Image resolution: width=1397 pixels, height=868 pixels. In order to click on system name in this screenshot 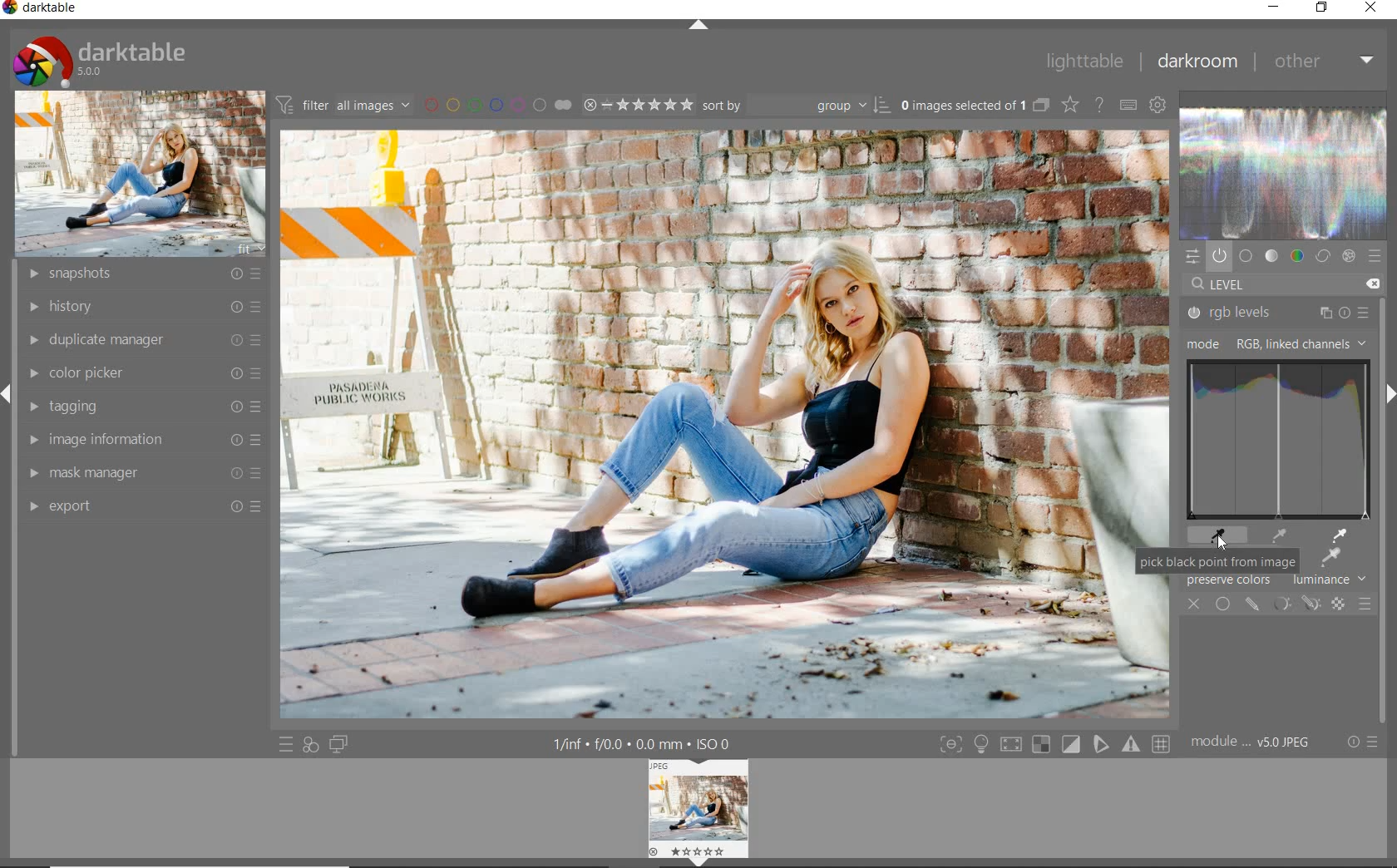, I will do `click(42, 9)`.